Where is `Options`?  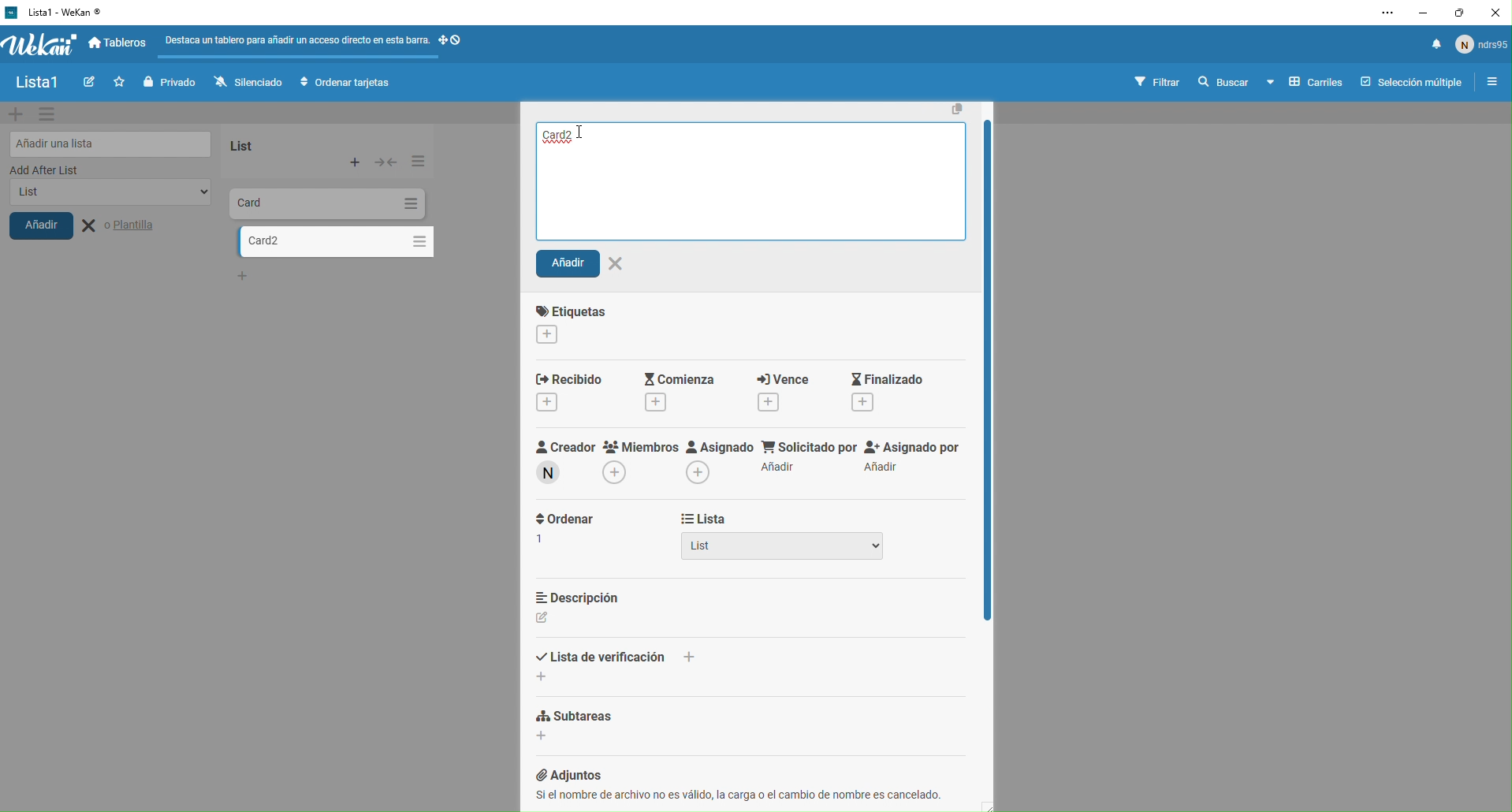
Options is located at coordinates (415, 239).